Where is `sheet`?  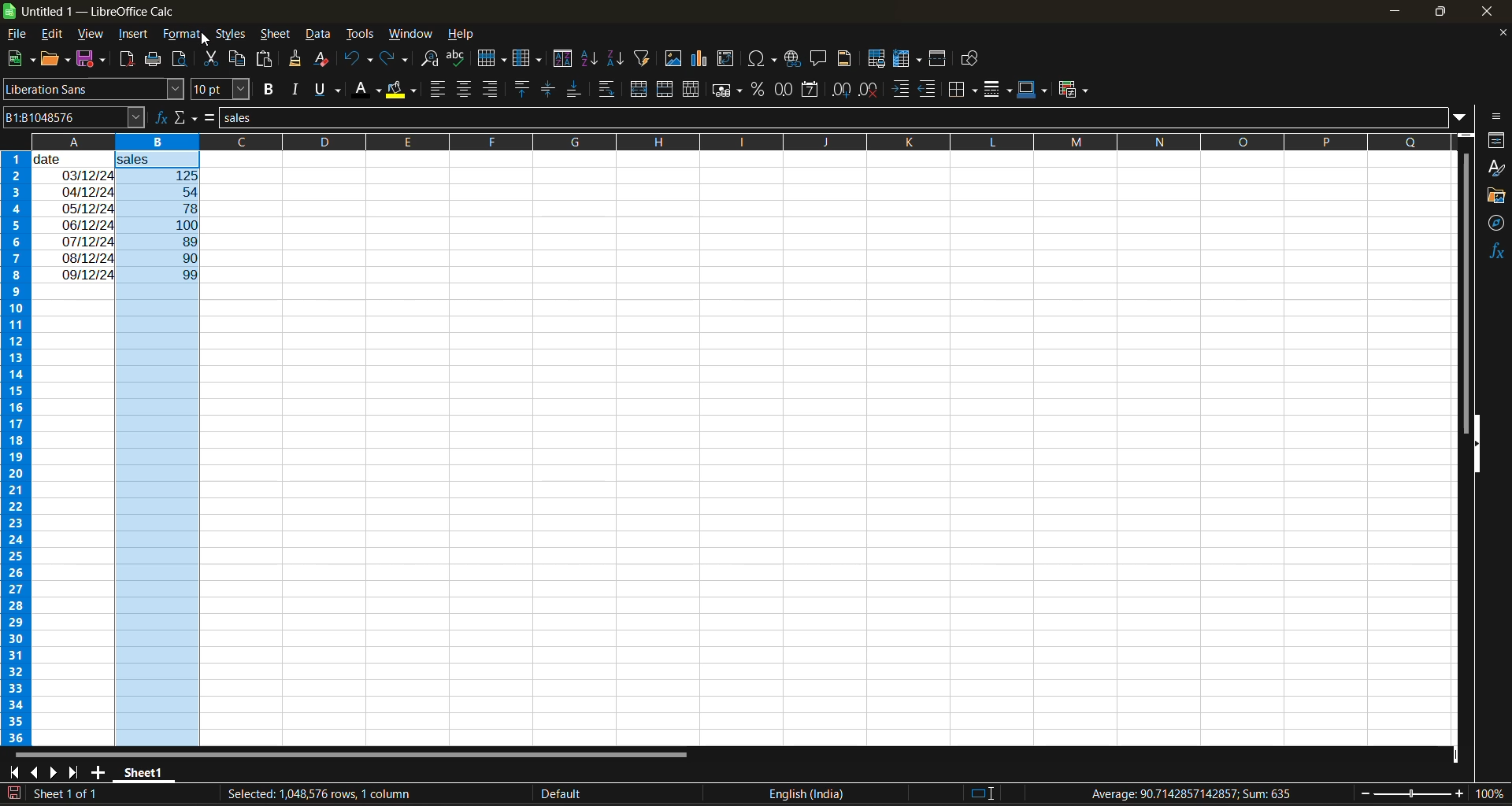
sheet is located at coordinates (275, 35).